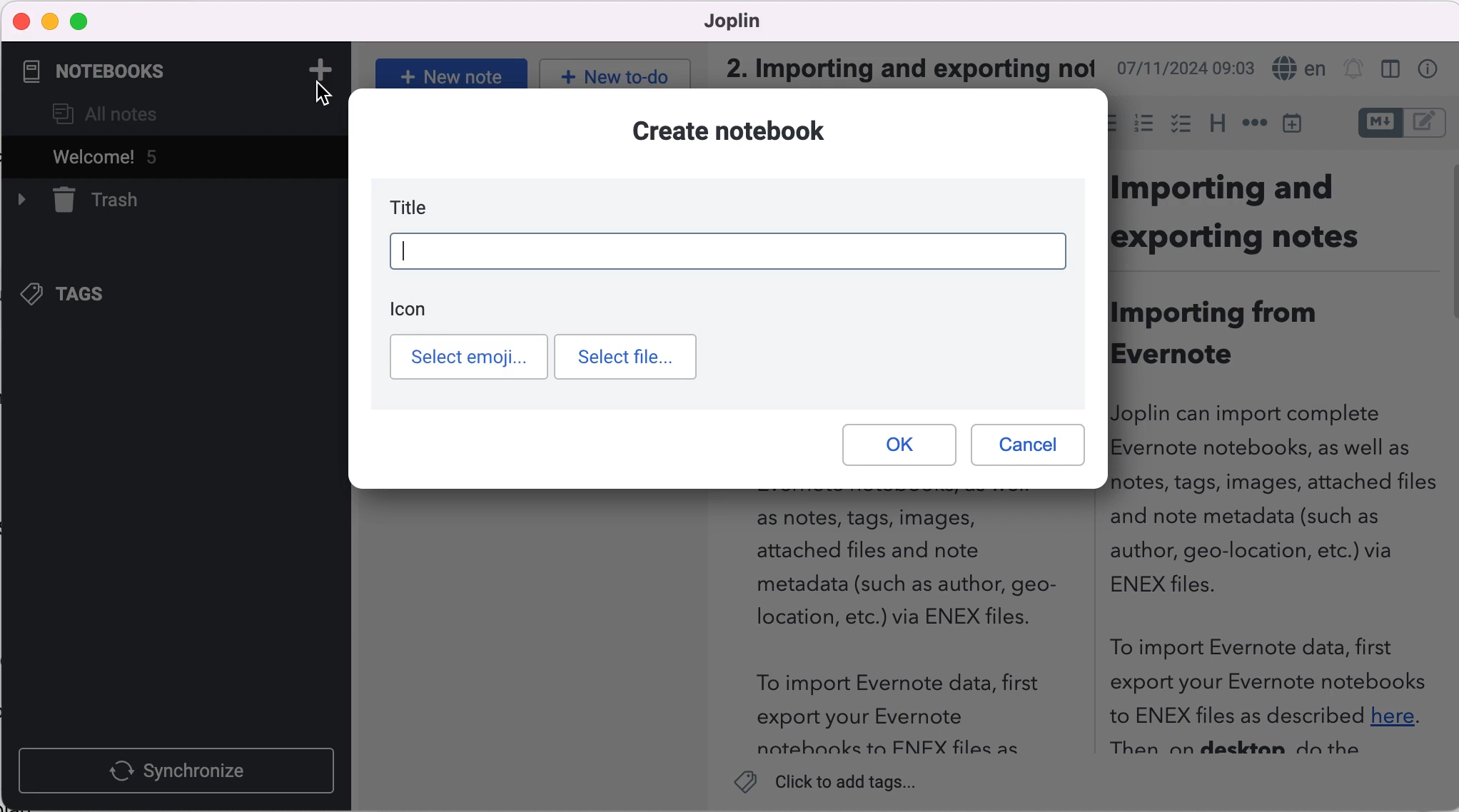  Describe the element at coordinates (128, 160) in the screenshot. I see `welcome! 5` at that location.